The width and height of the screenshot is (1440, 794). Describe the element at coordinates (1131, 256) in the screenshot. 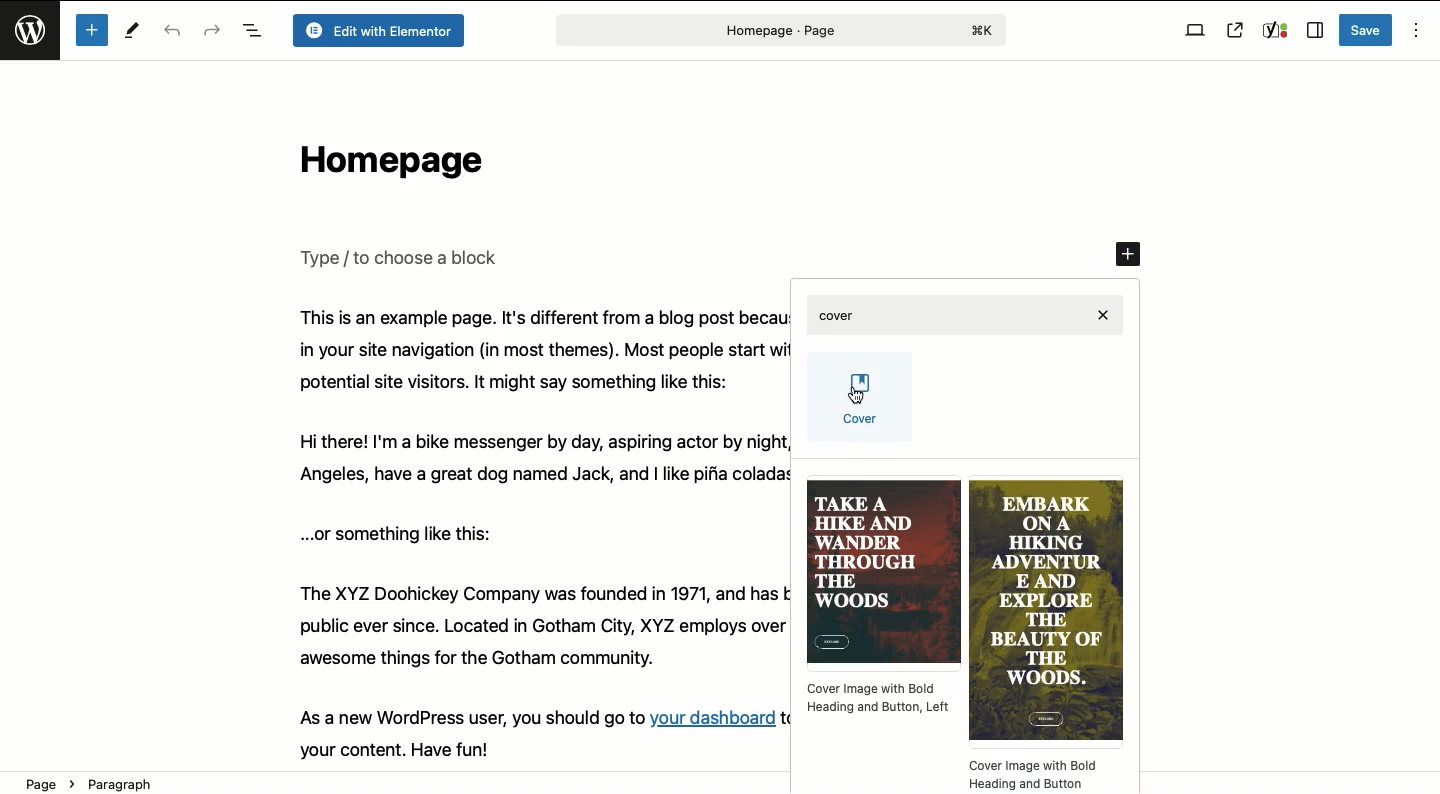

I see `Add new block` at that location.